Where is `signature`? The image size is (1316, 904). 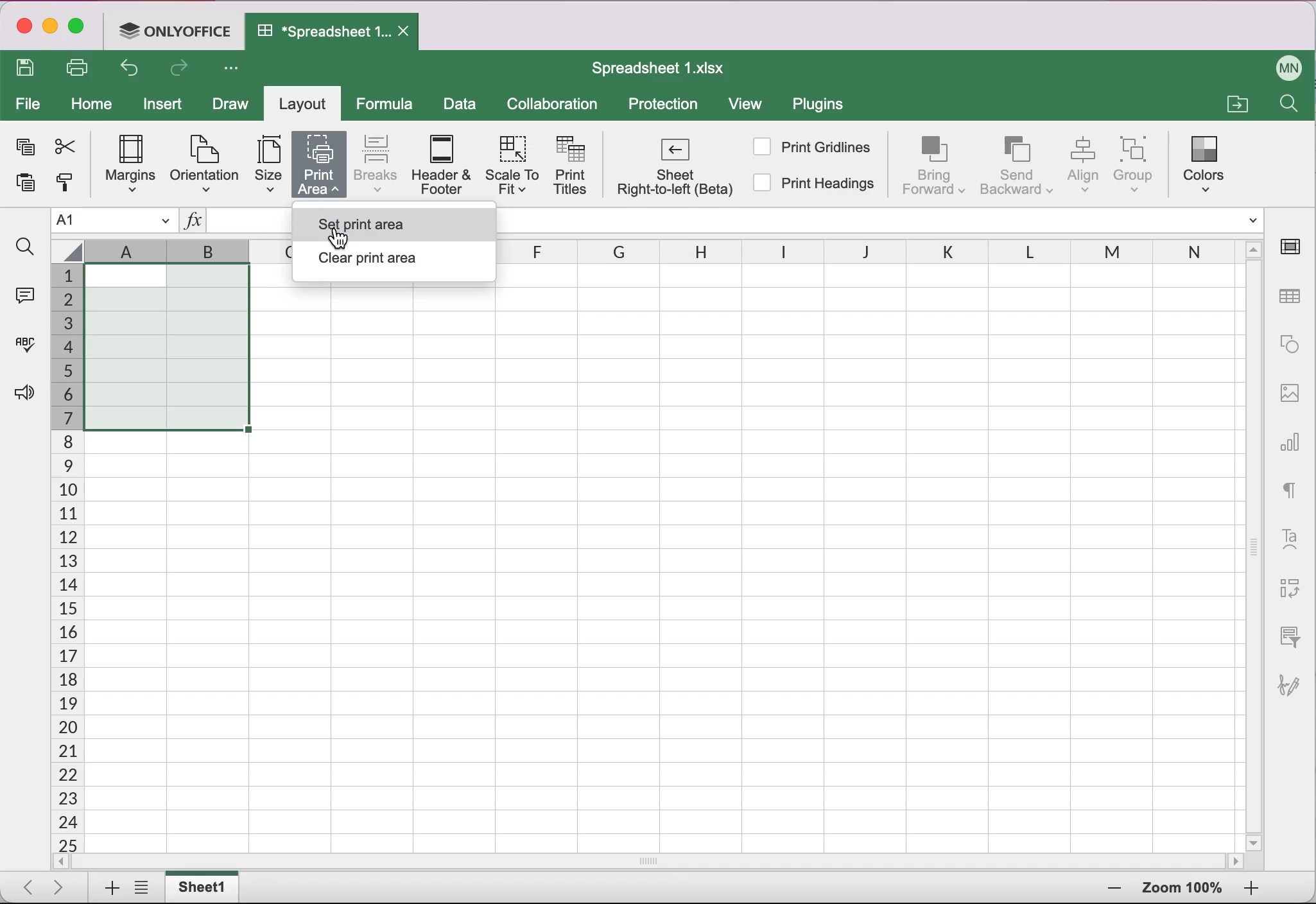
signature is located at coordinates (1295, 679).